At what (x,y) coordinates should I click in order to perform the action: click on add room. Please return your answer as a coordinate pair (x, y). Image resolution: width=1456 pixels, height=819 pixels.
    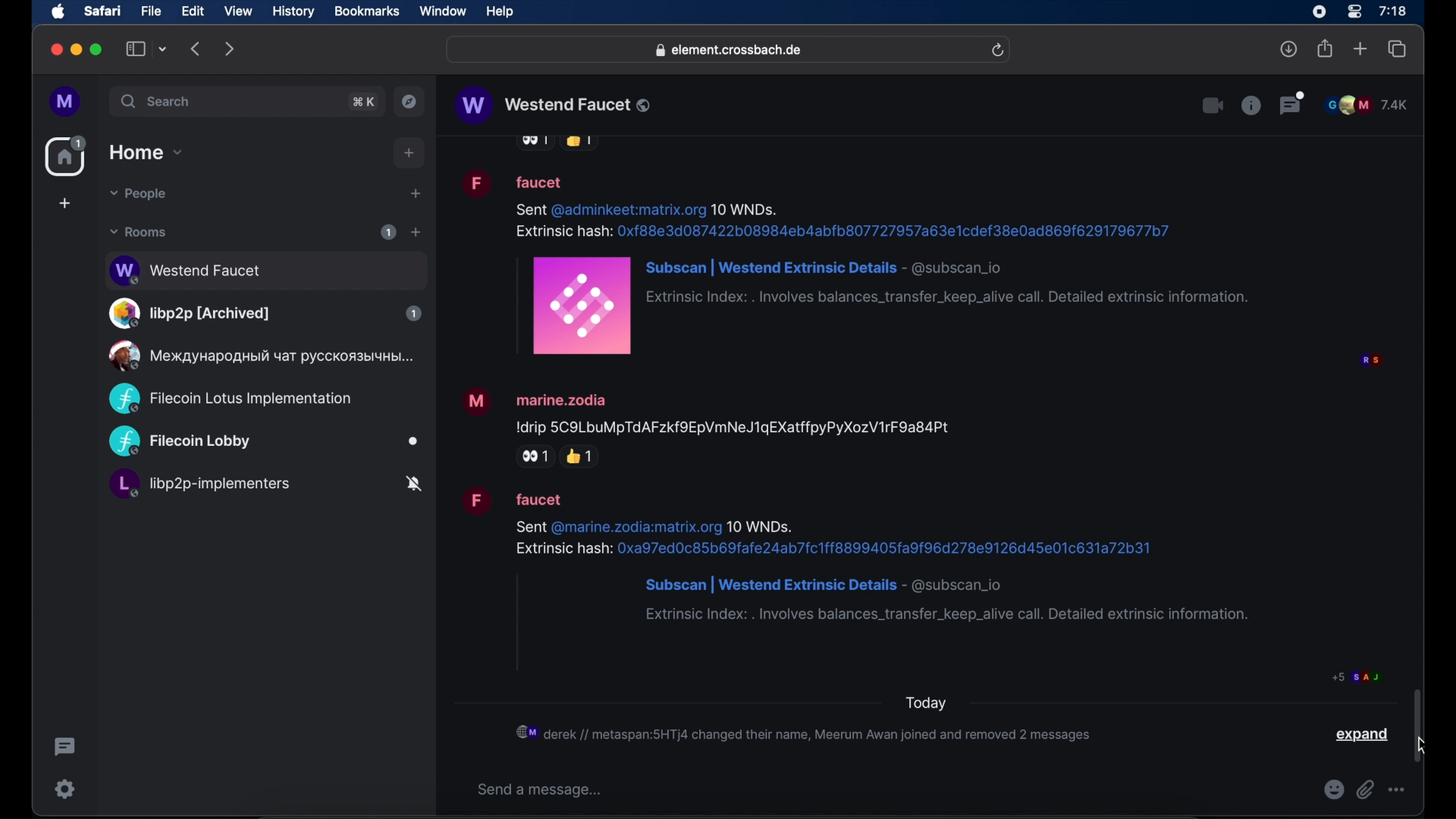
    Looking at the image, I should click on (416, 232).